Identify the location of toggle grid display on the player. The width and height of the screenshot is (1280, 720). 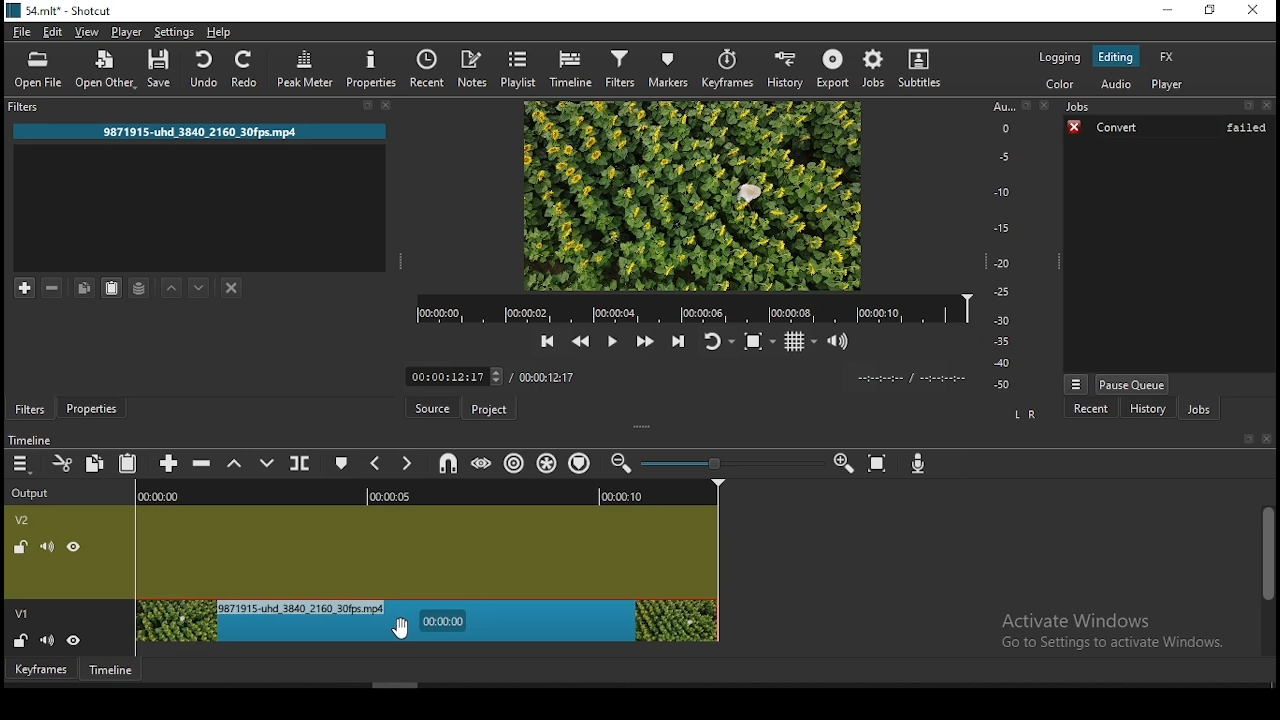
(800, 343).